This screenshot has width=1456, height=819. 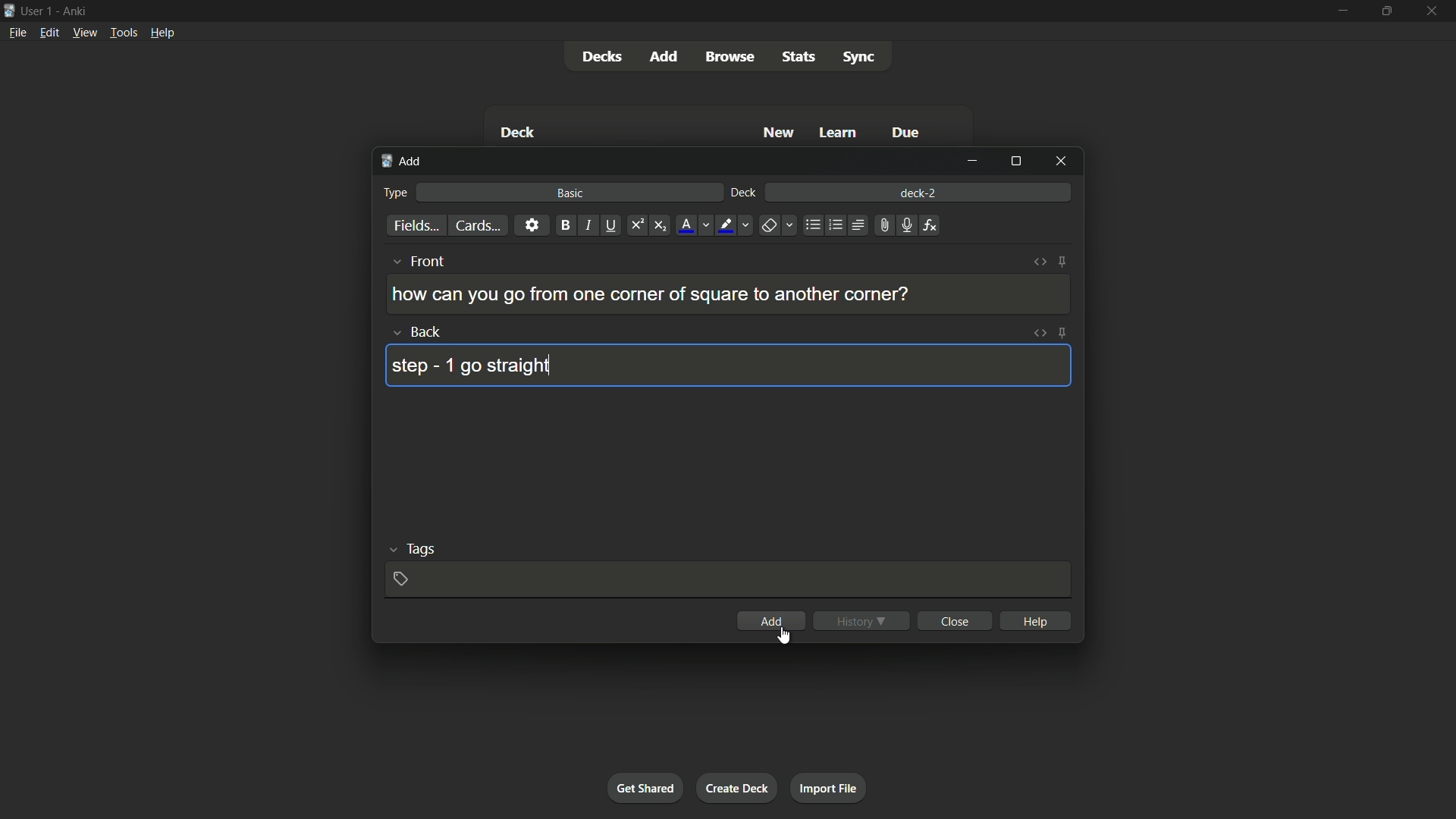 I want to click on unordered list, so click(x=811, y=226).